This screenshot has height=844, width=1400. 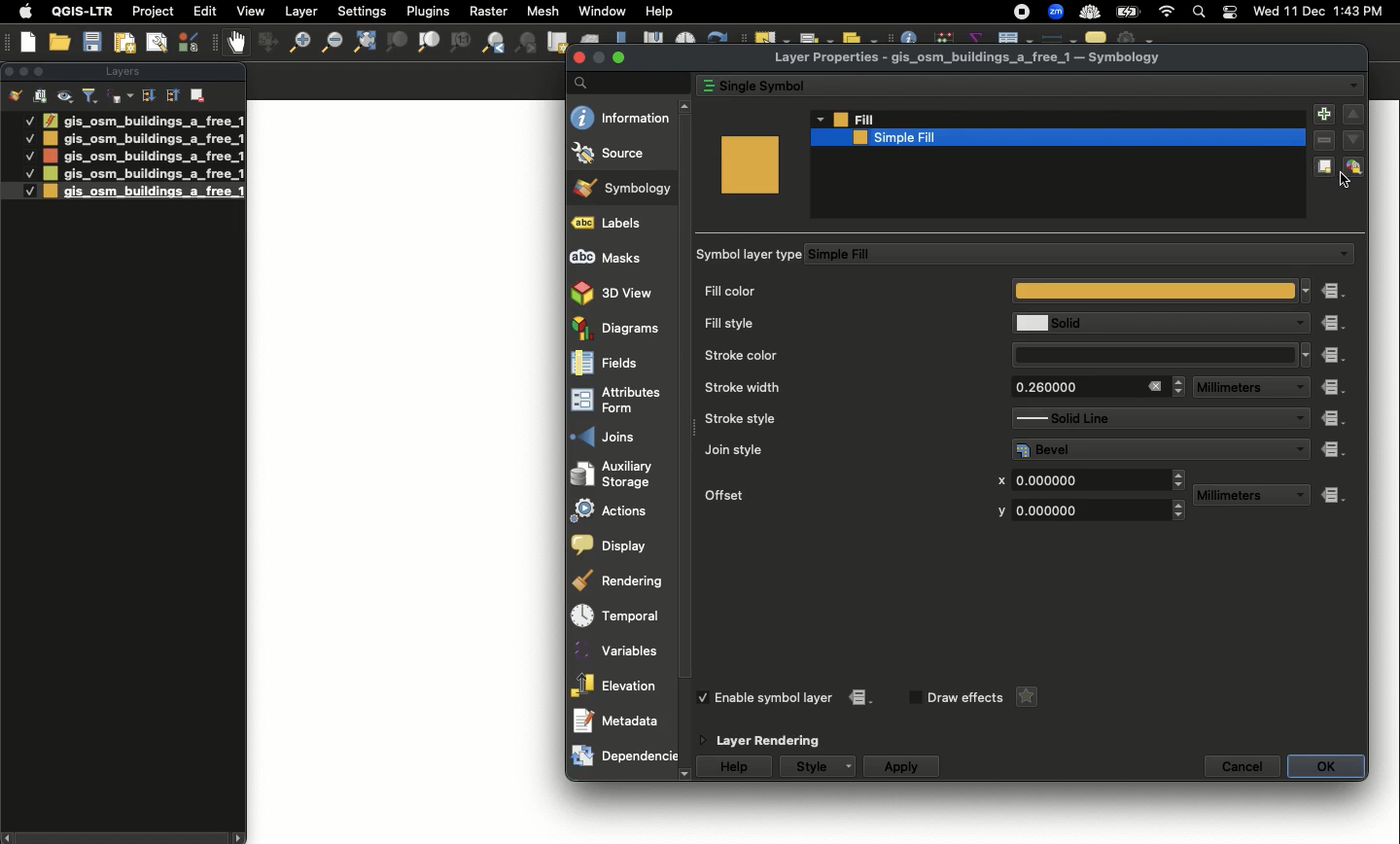 I want to click on battery, so click(x=1132, y=11).